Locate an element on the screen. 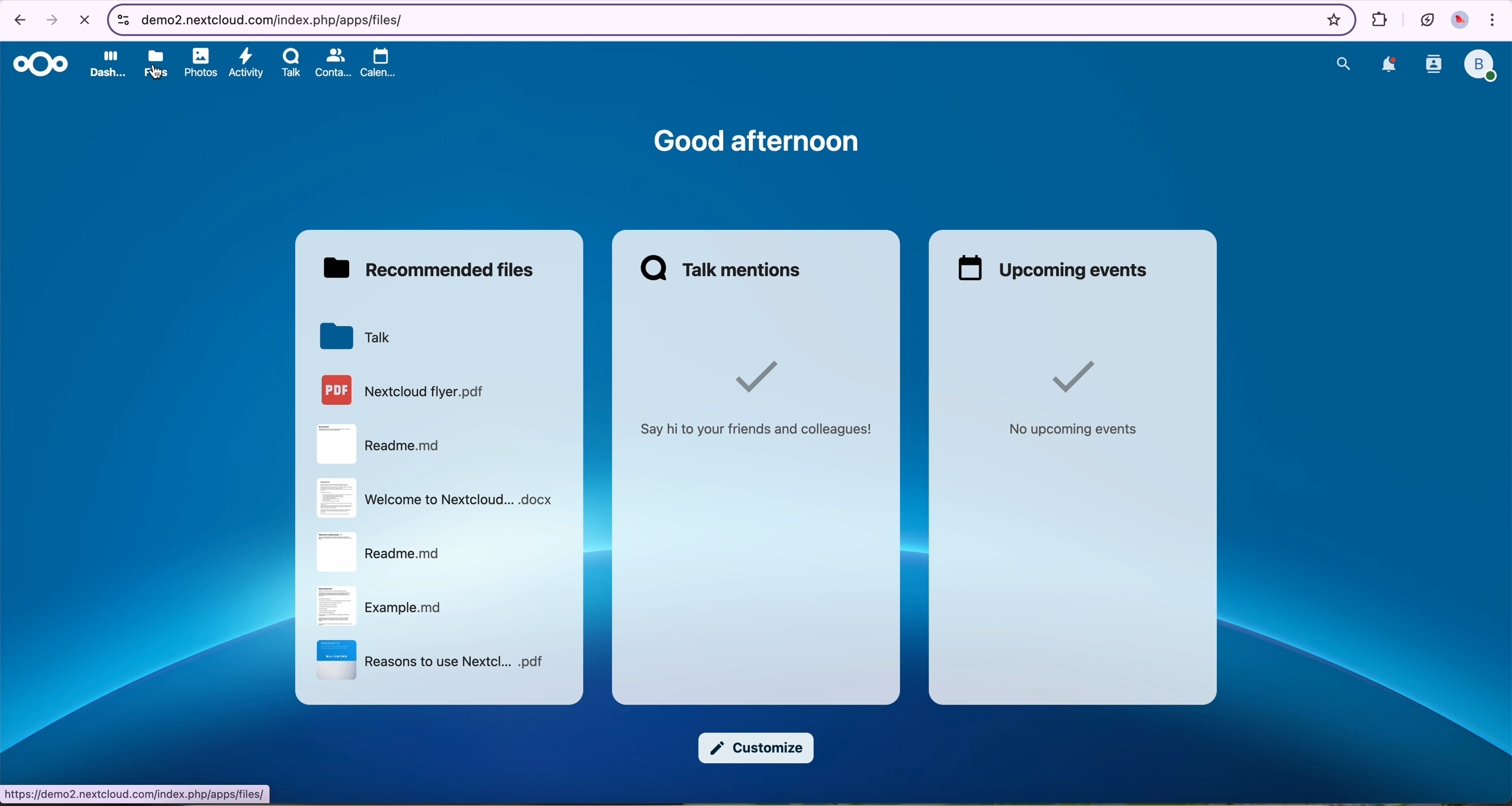 The height and width of the screenshot is (806, 1512). navigate back is located at coordinates (17, 22).